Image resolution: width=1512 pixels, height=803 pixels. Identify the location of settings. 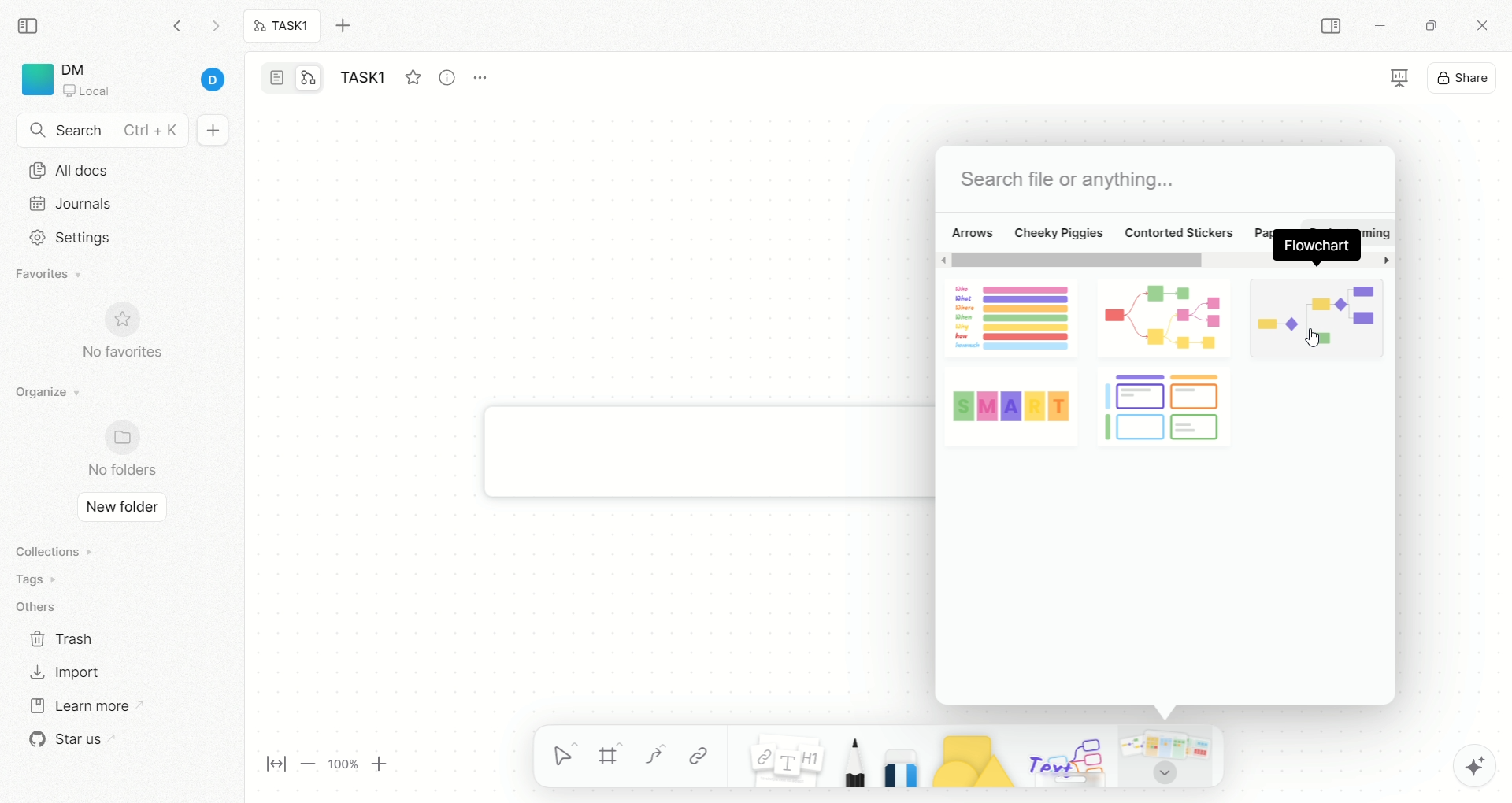
(65, 238).